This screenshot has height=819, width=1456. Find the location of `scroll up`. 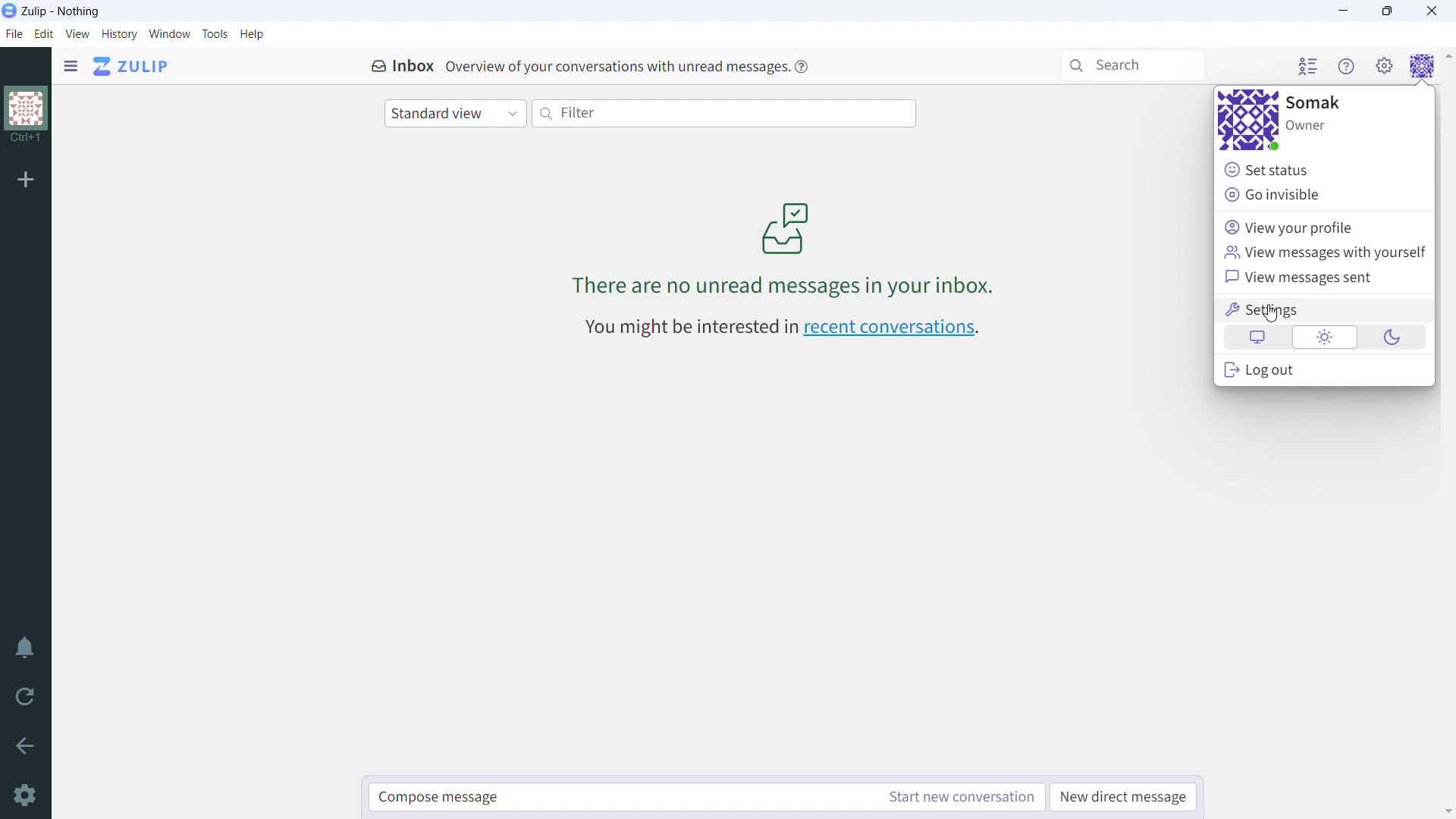

scroll up is located at coordinates (1447, 59).